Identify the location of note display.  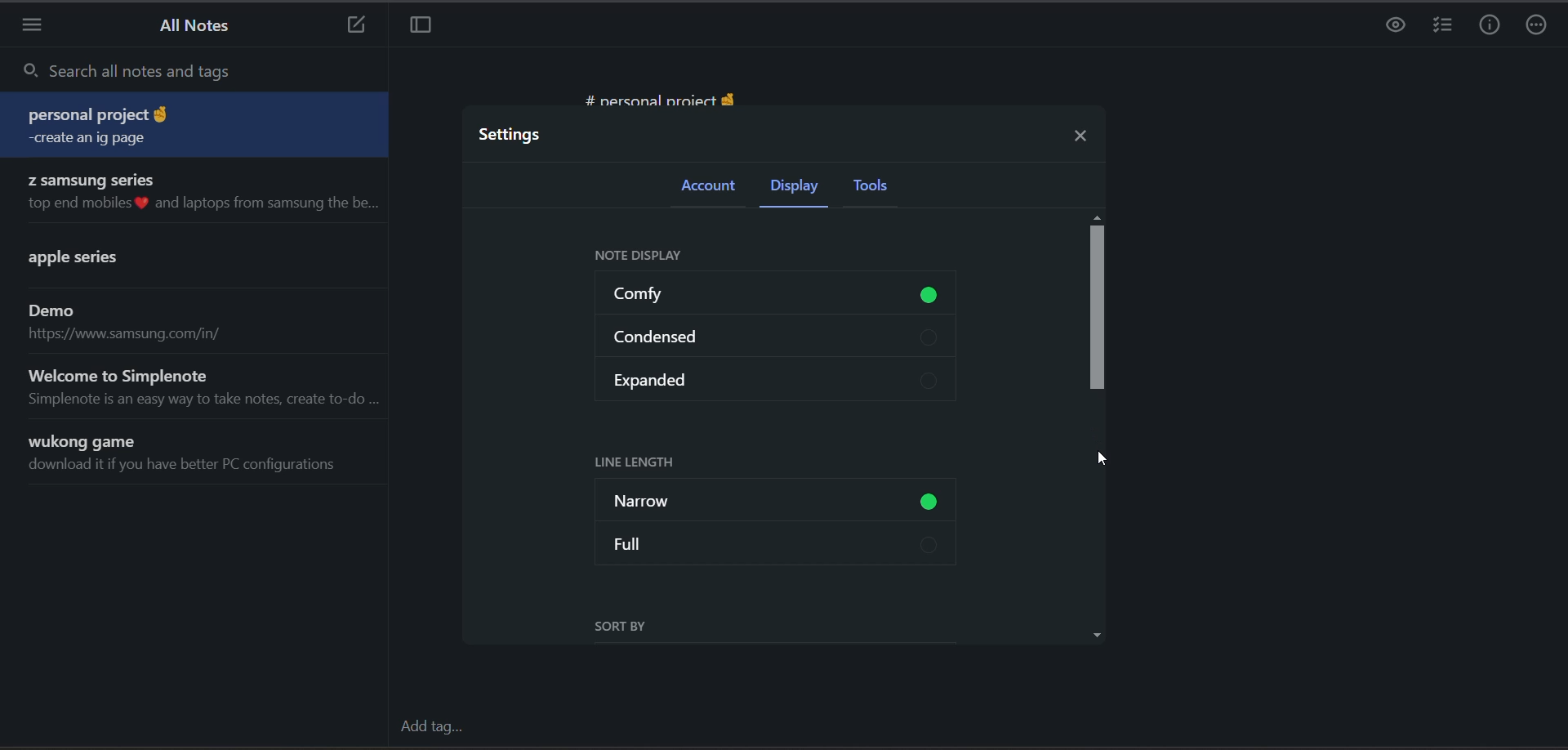
(651, 257).